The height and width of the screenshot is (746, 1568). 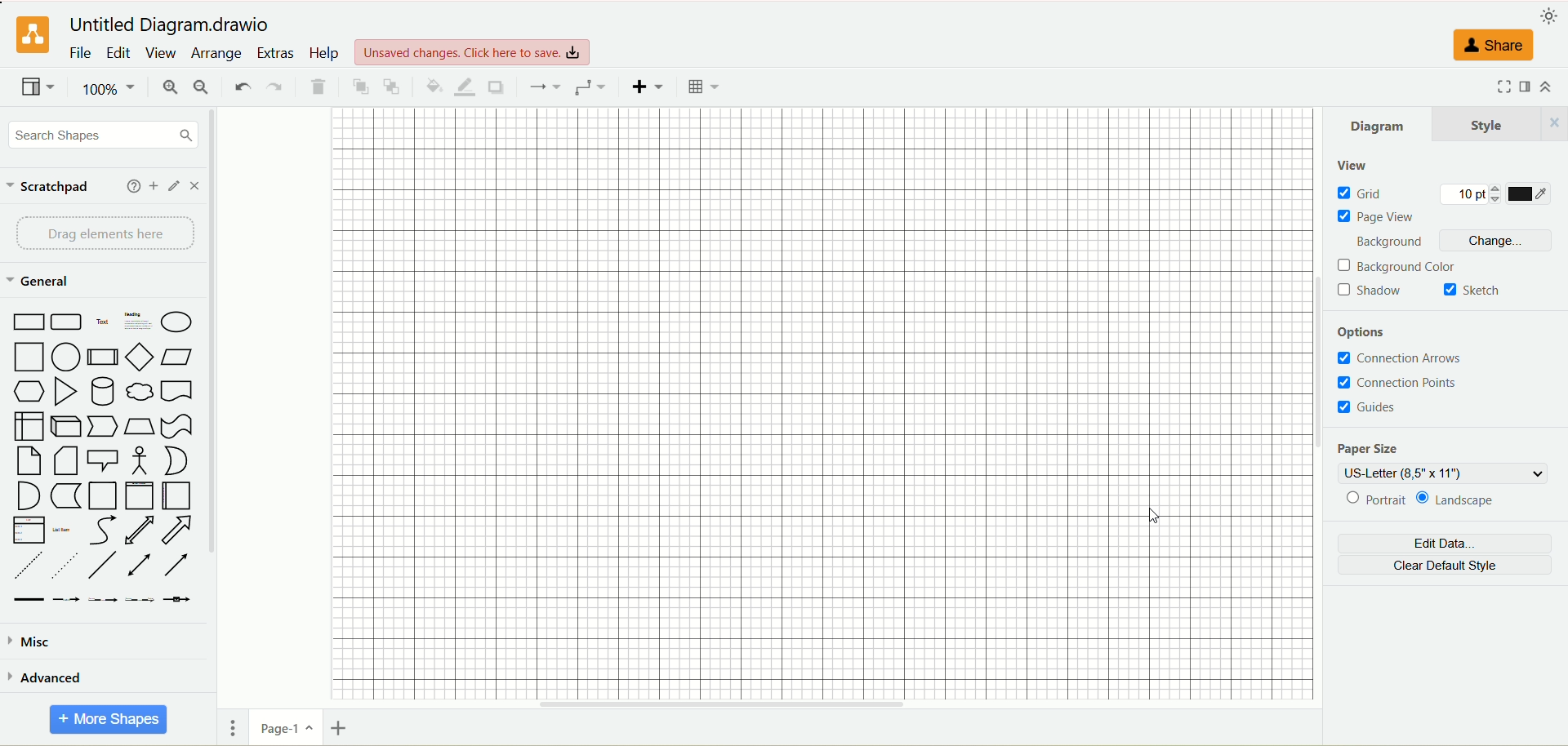 What do you see at coordinates (703, 87) in the screenshot?
I see `Table` at bounding box center [703, 87].